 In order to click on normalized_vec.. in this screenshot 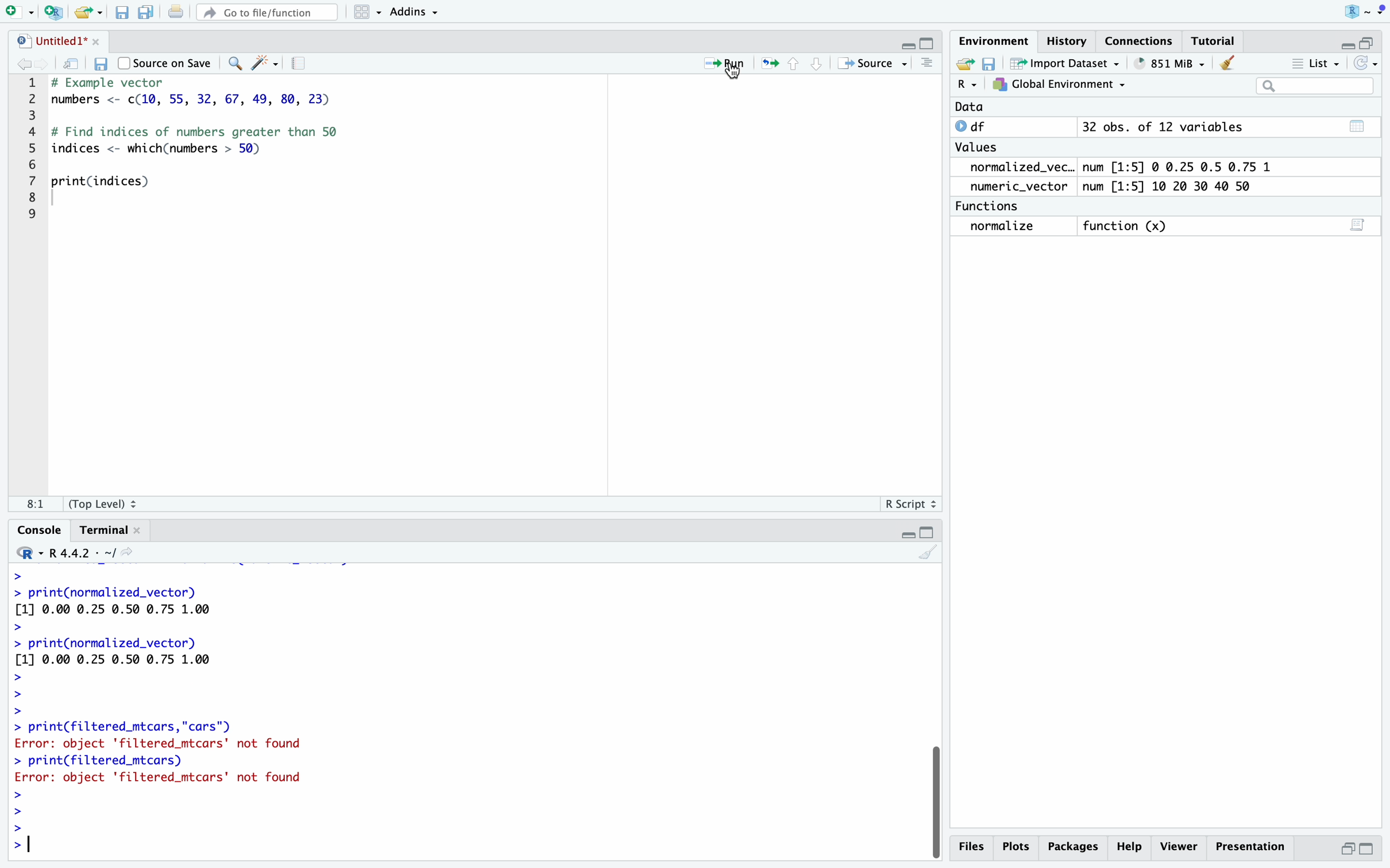, I will do `click(1017, 168)`.